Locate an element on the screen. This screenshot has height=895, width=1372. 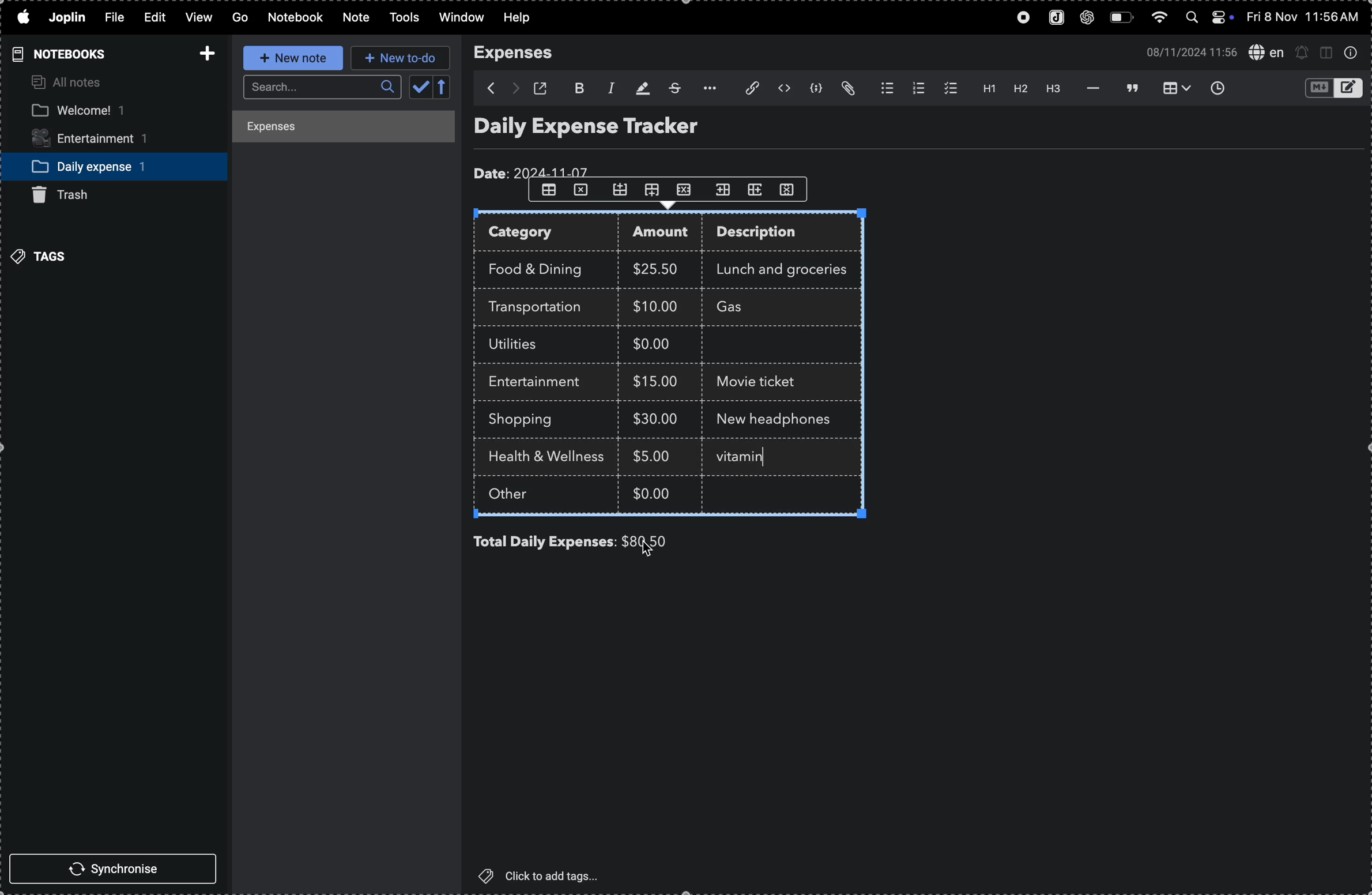
joplin is located at coordinates (69, 17).